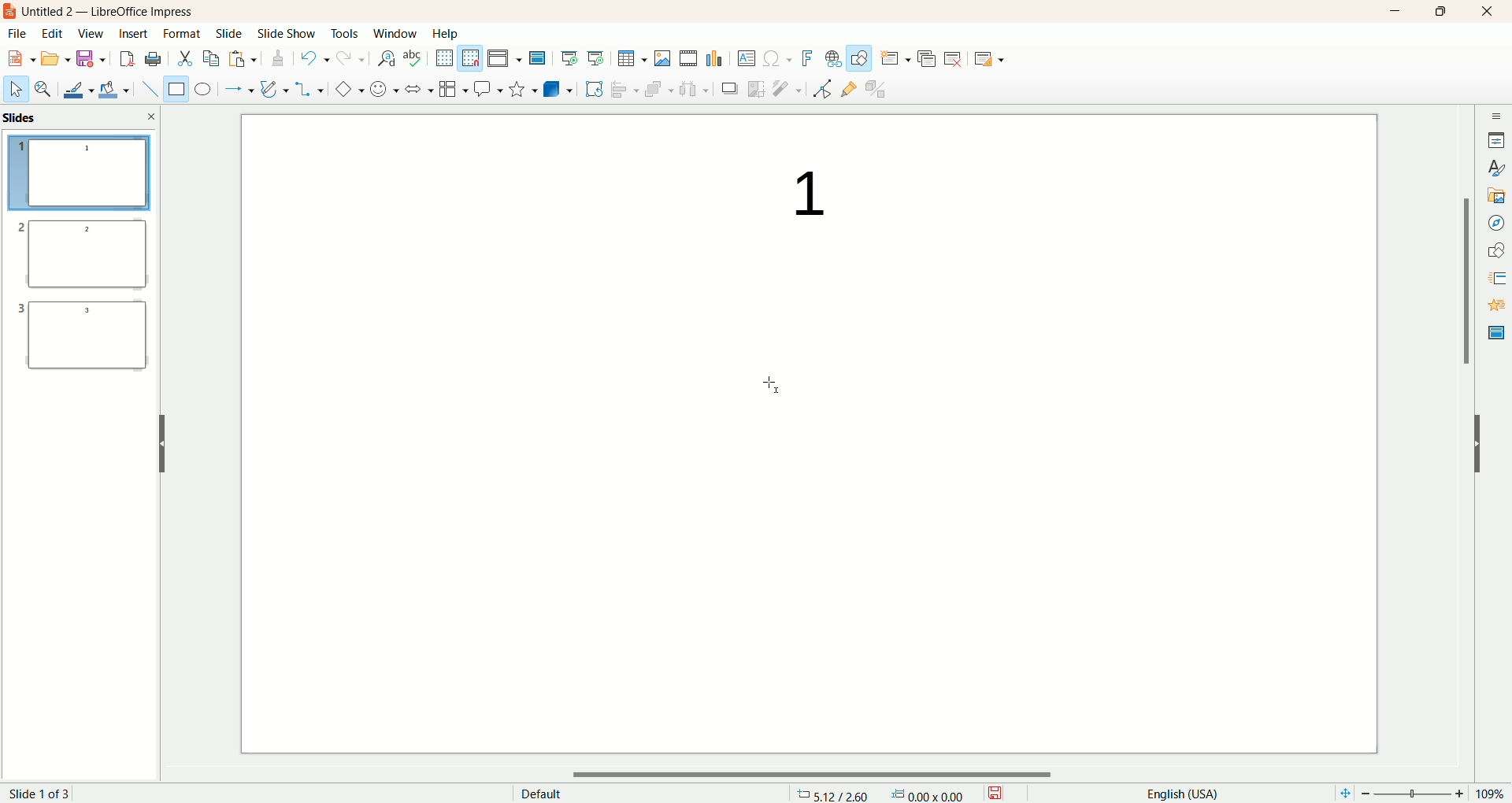  Describe the element at coordinates (623, 87) in the screenshot. I see `align` at that location.